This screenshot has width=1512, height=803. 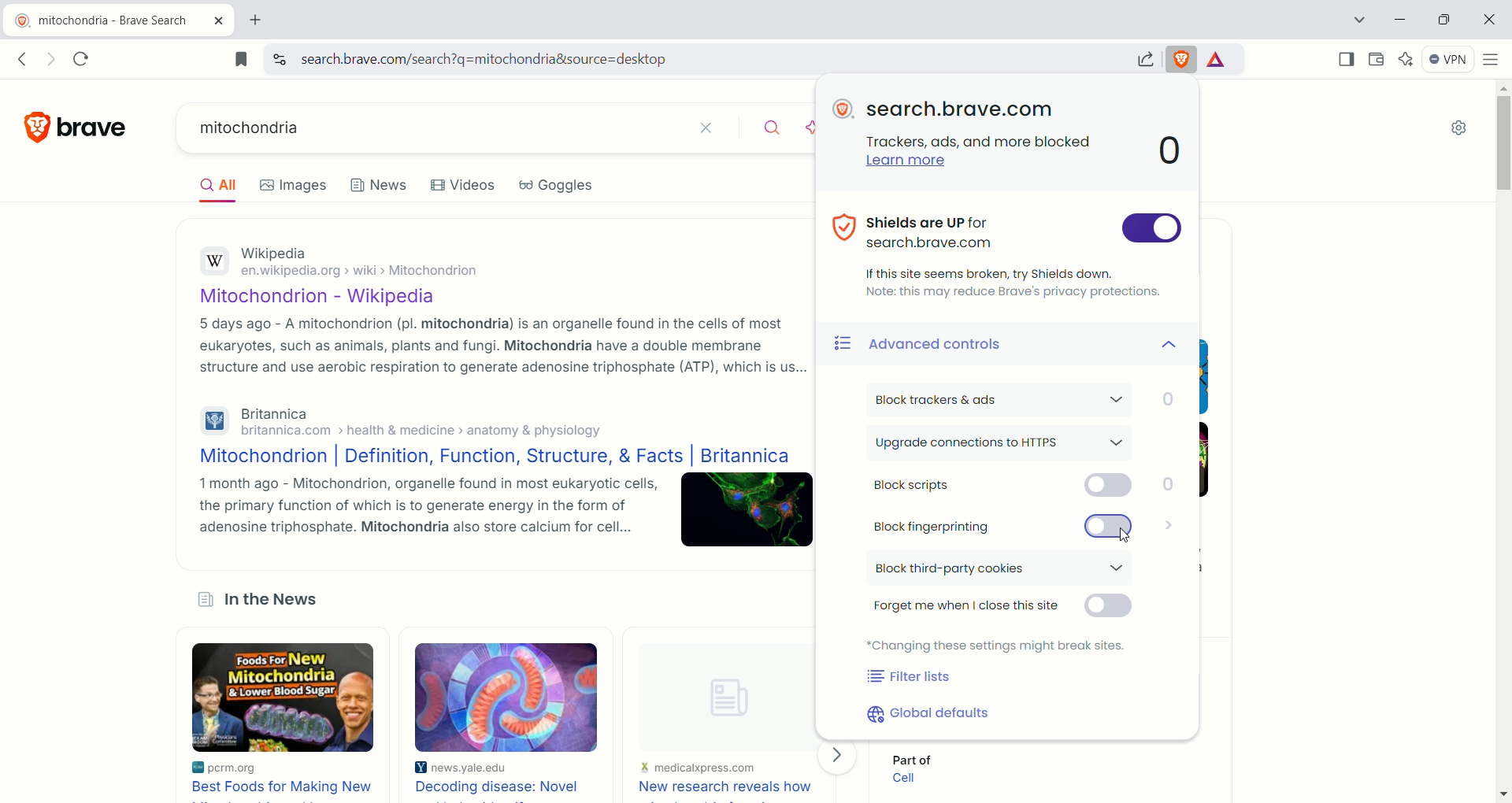 What do you see at coordinates (464, 184) in the screenshot?
I see `Videos` at bounding box center [464, 184].